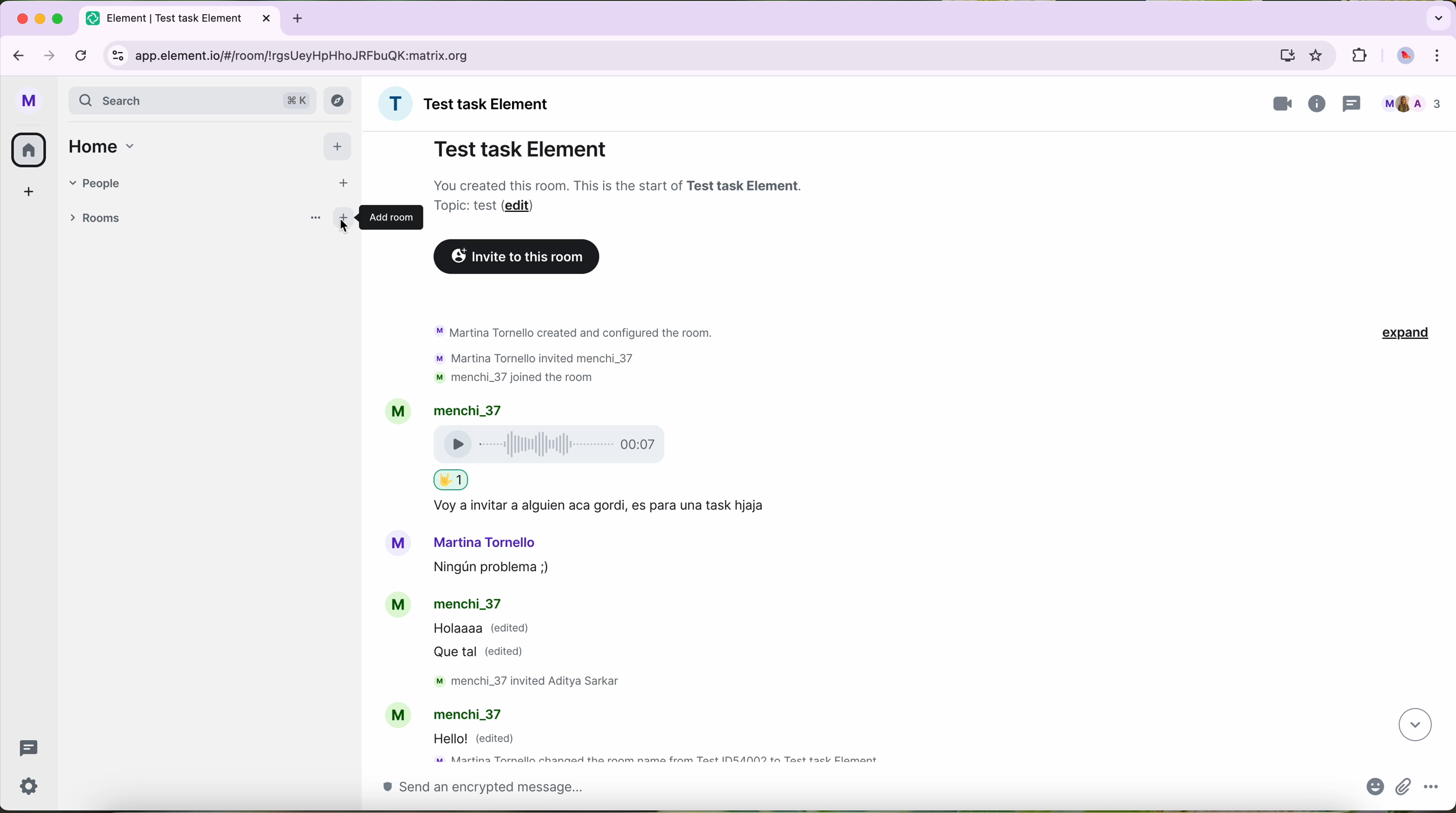 The width and height of the screenshot is (1456, 813). I want to click on send a message, so click(852, 792).